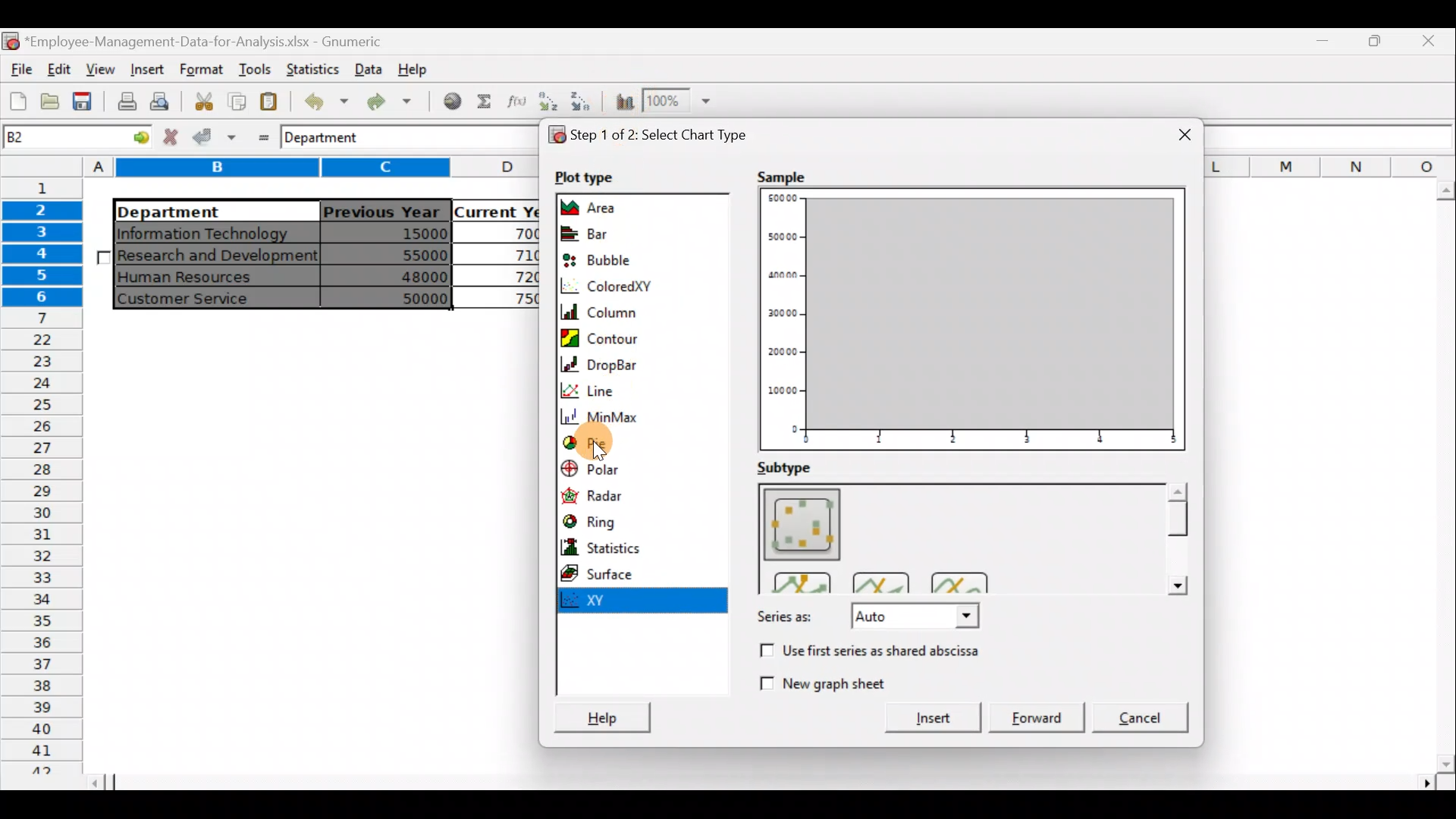 Image resolution: width=1456 pixels, height=819 pixels. What do you see at coordinates (236, 102) in the screenshot?
I see `Copy the selection` at bounding box center [236, 102].